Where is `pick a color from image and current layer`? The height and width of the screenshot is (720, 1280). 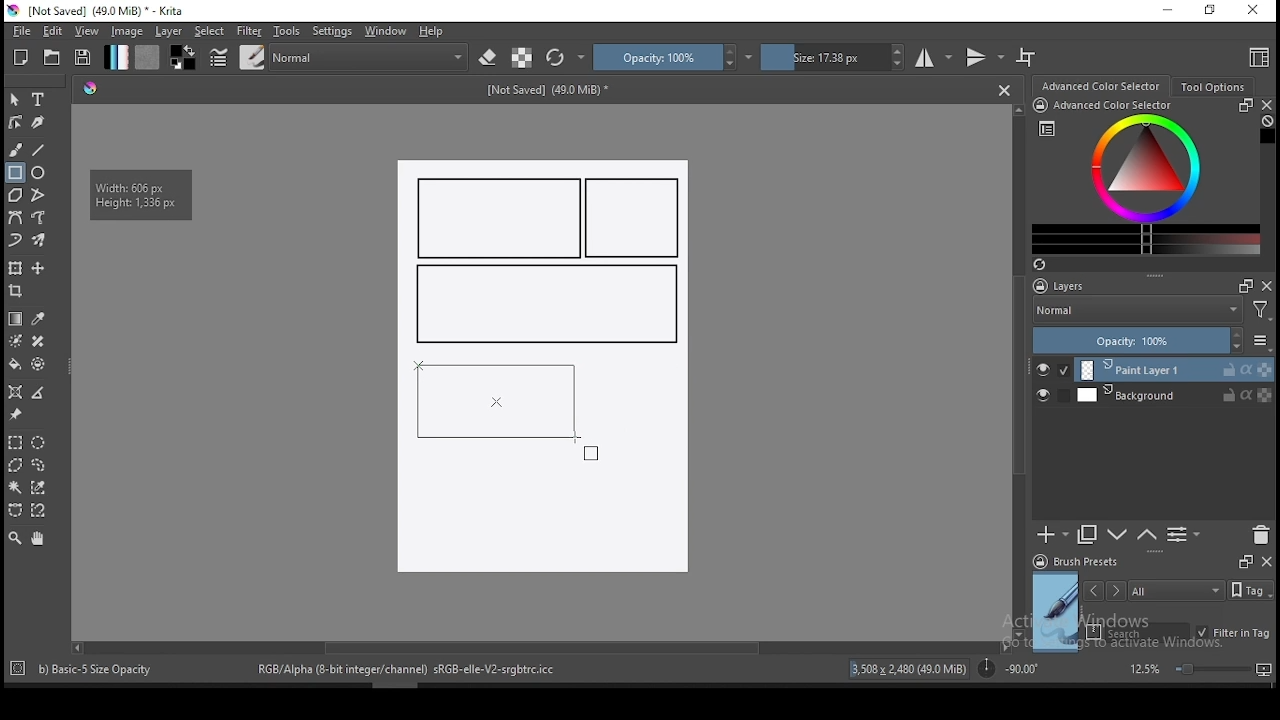 pick a color from image and current layer is located at coordinates (39, 319).